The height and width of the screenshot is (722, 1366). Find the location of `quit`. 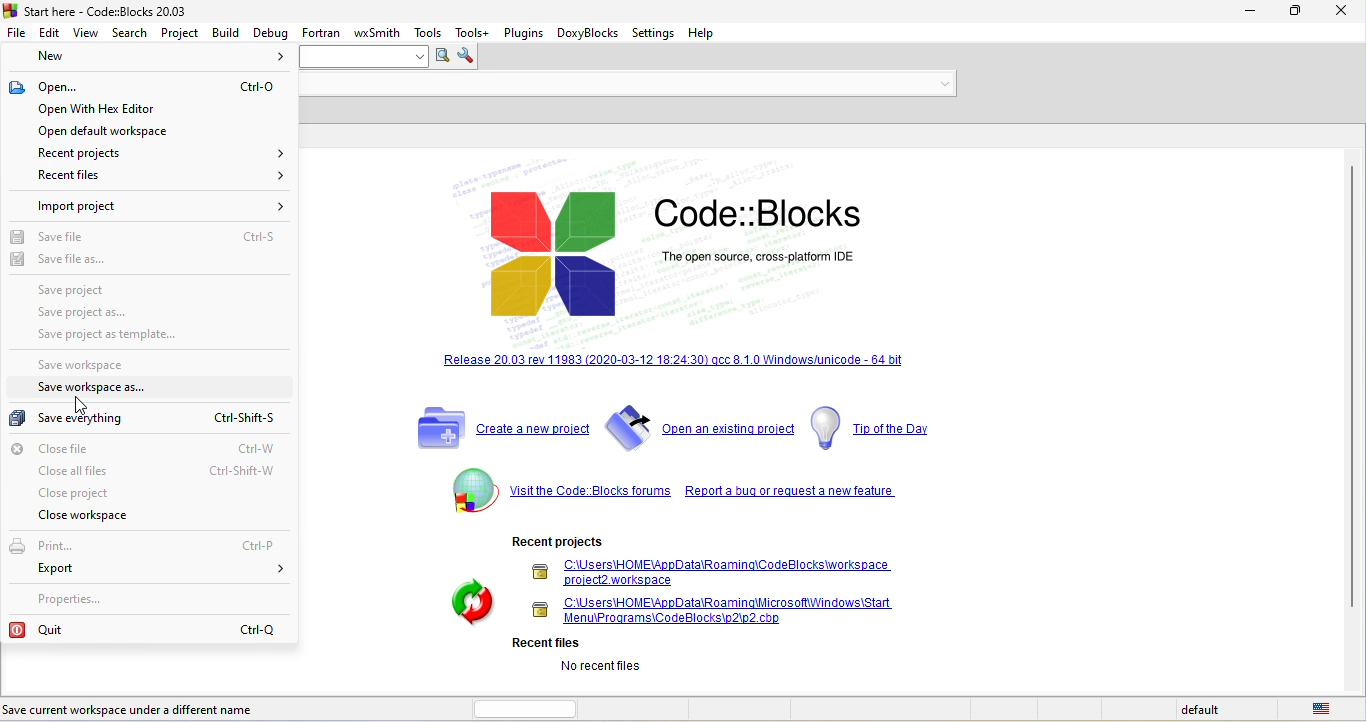

quit is located at coordinates (146, 628).